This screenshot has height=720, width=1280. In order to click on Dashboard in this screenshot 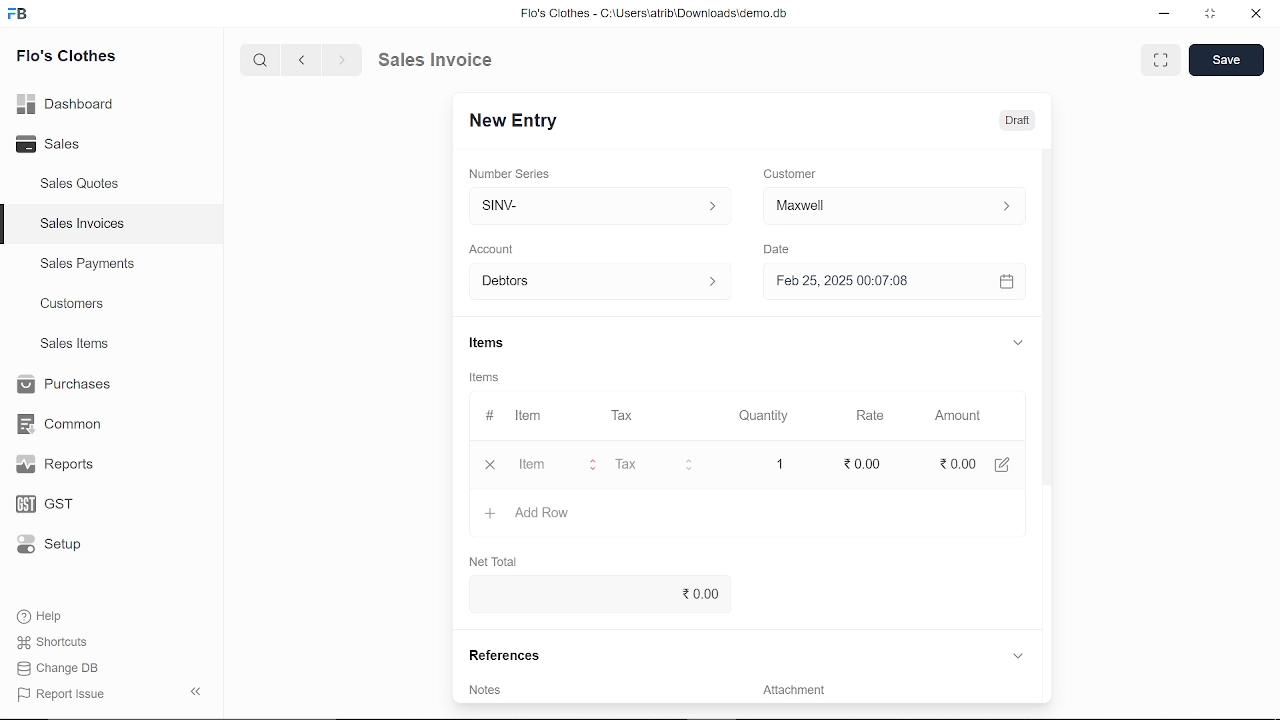, I will do `click(67, 107)`.